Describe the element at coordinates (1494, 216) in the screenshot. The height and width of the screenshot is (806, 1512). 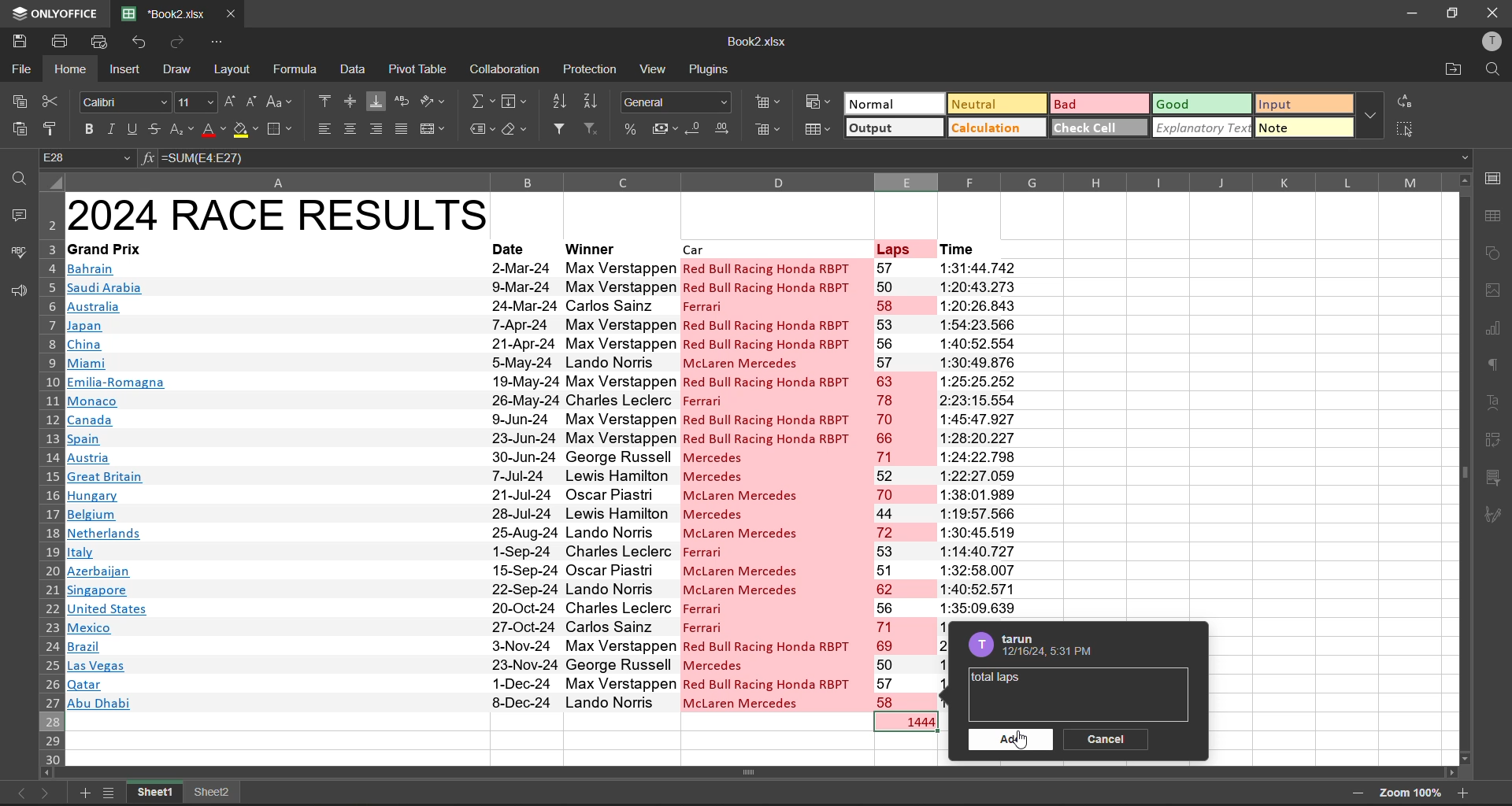
I see `table` at that location.